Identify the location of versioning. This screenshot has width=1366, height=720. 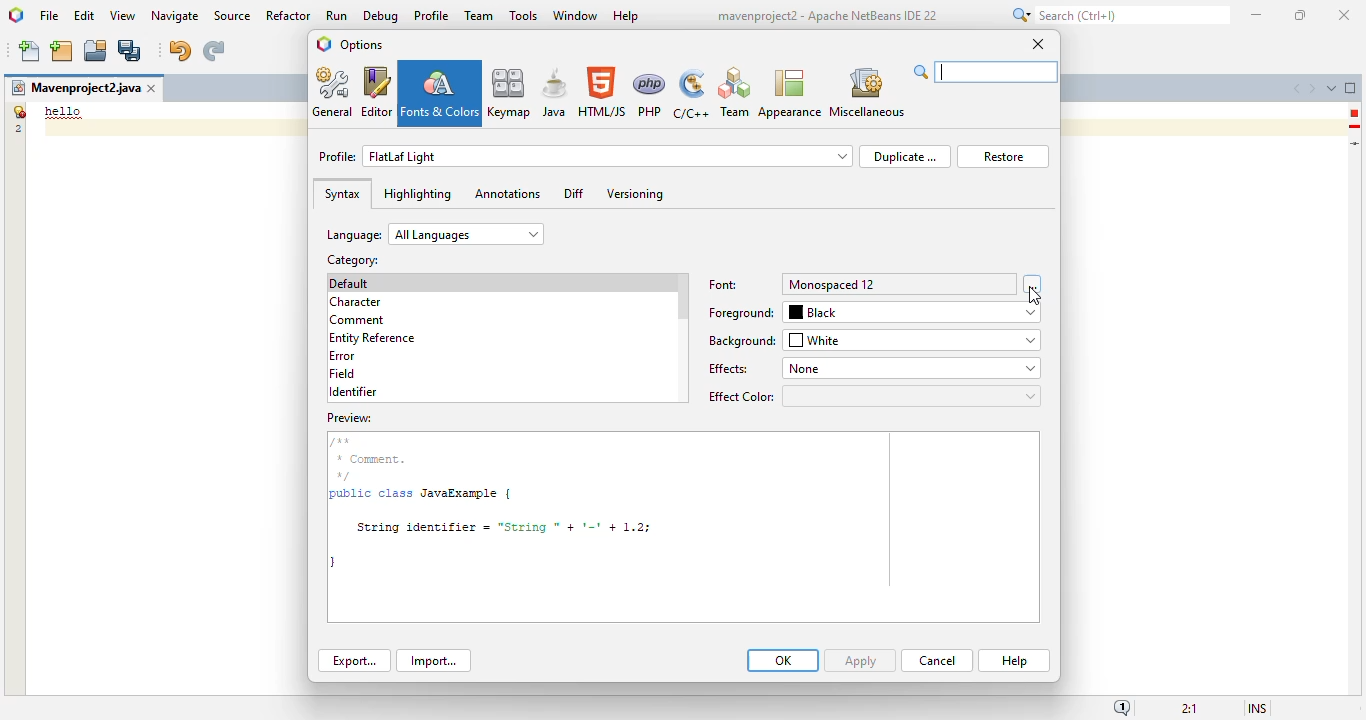
(636, 194).